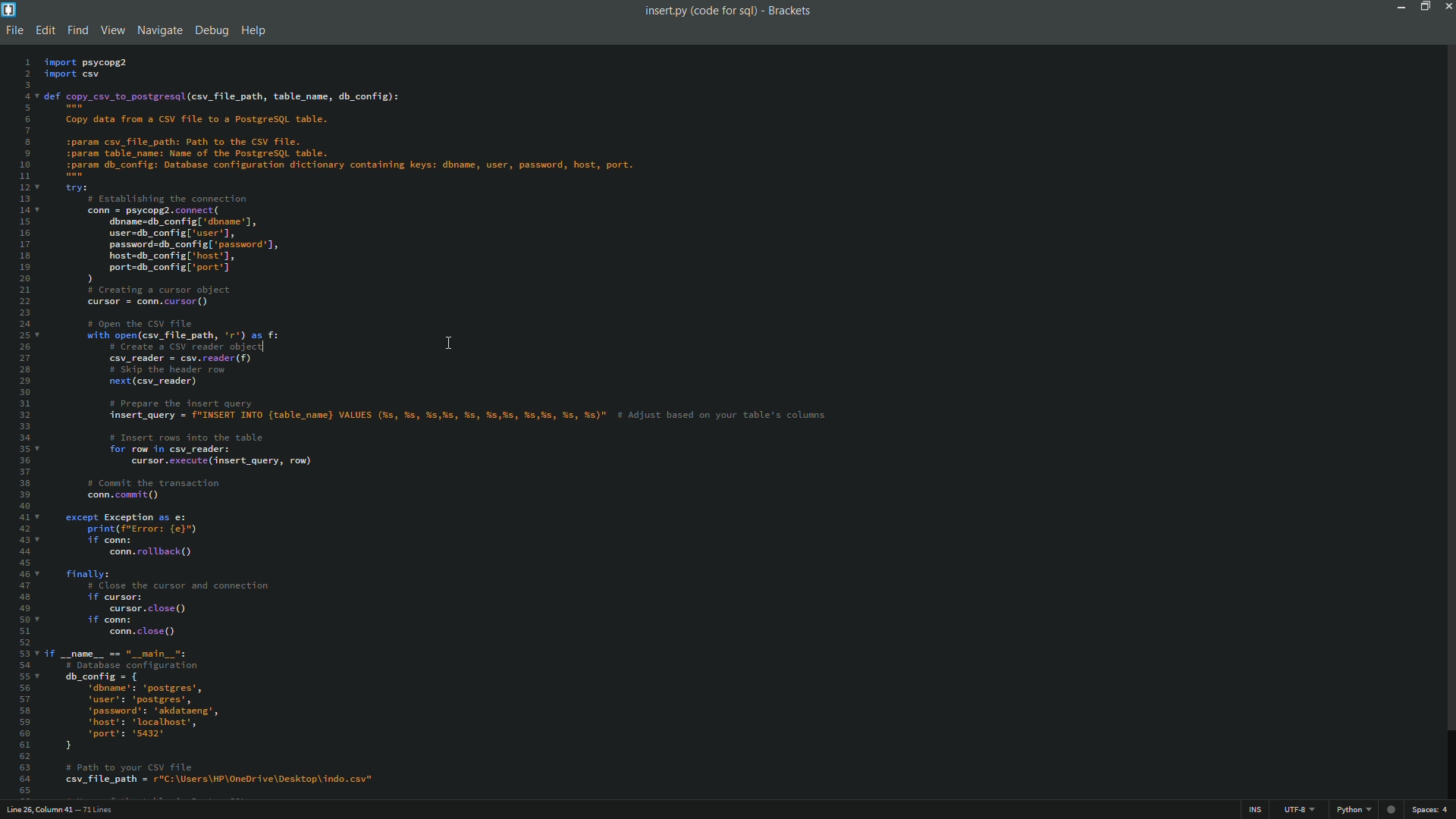  I want to click on file menu, so click(14, 30).